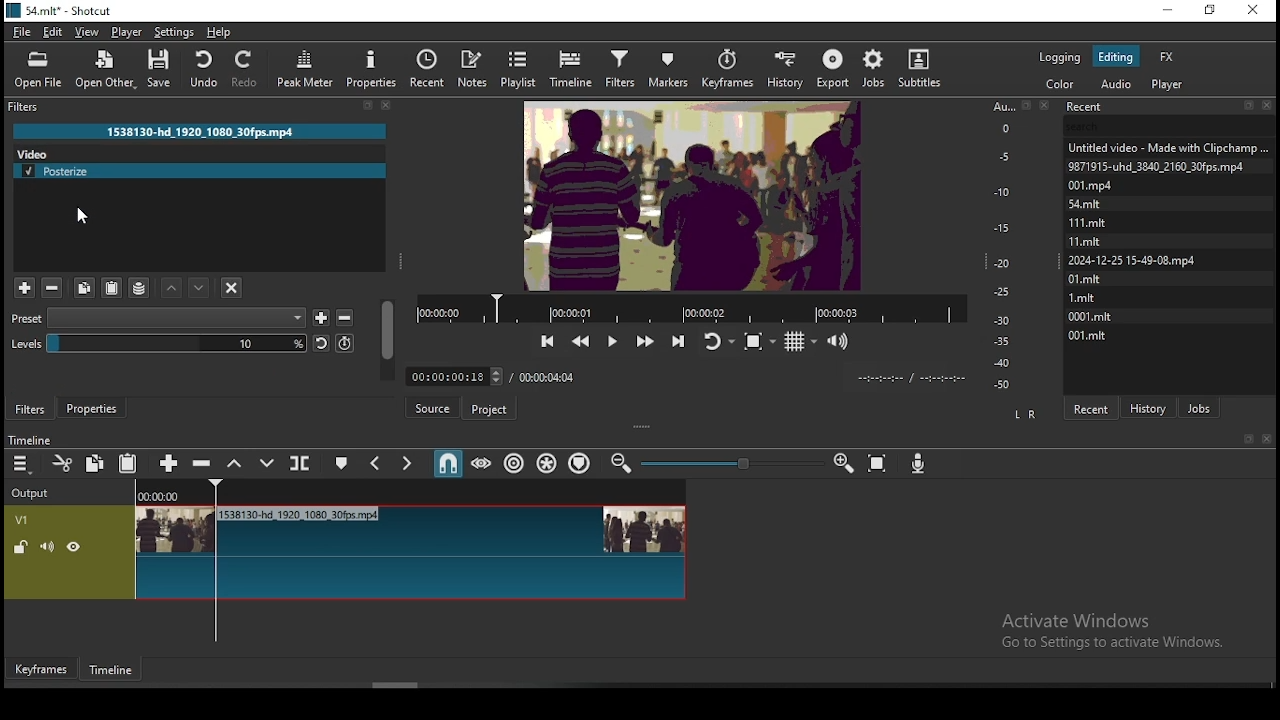 The width and height of the screenshot is (1280, 720). What do you see at coordinates (669, 69) in the screenshot?
I see `markers` at bounding box center [669, 69].